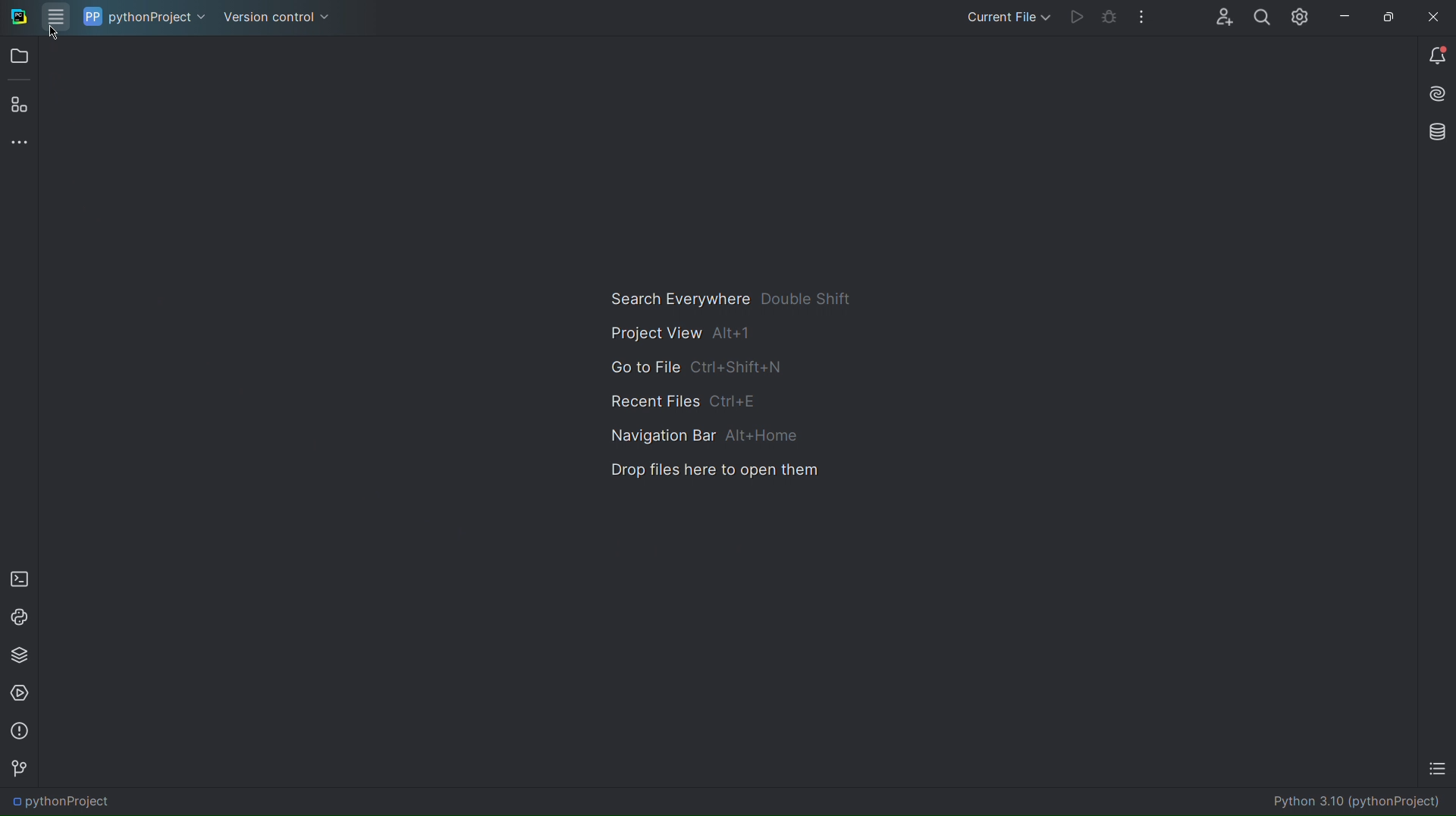  What do you see at coordinates (1107, 19) in the screenshot?
I see `Debug` at bounding box center [1107, 19].